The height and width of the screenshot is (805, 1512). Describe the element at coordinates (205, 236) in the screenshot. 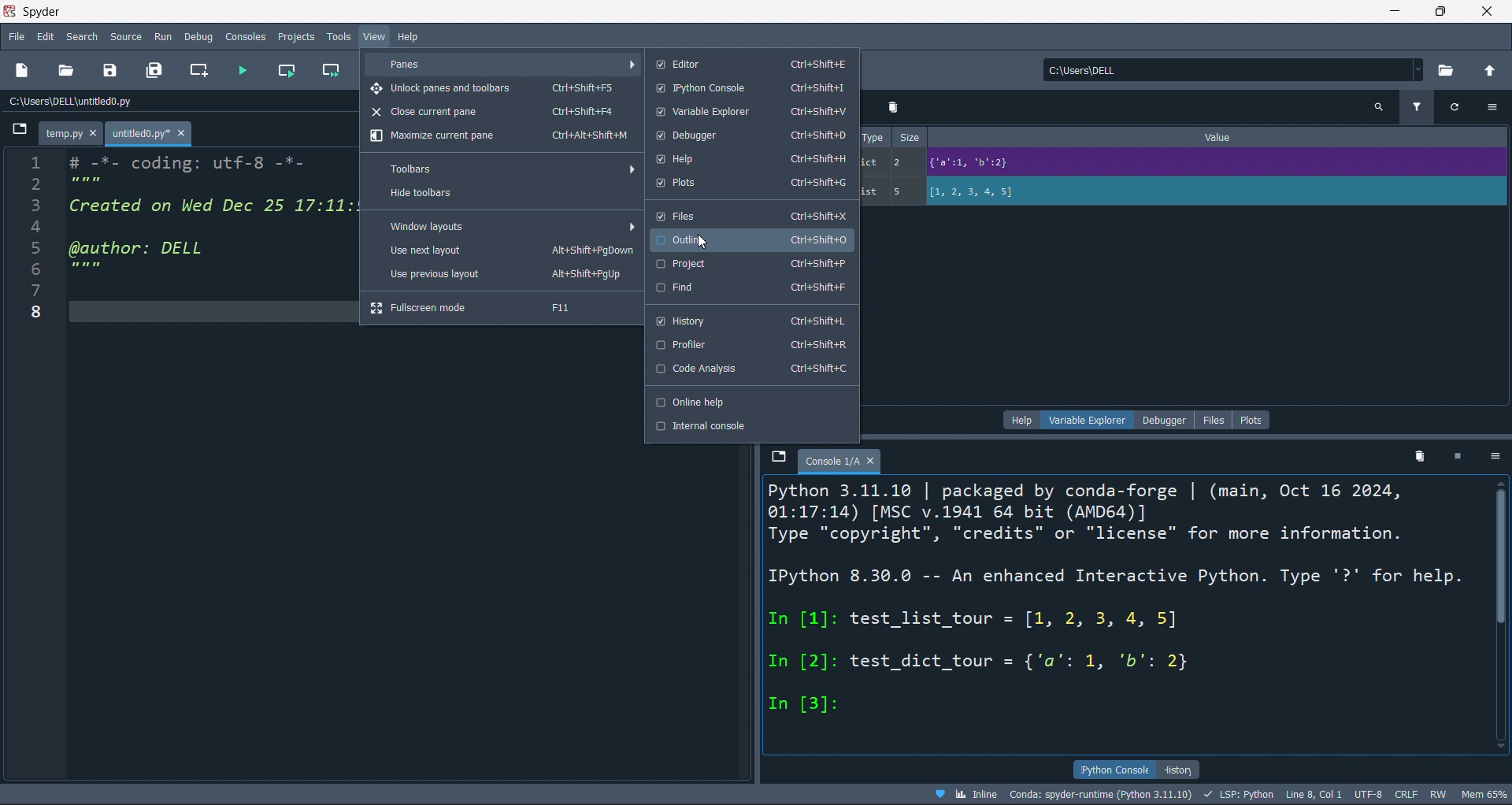

I see `# -*- coding: utf-8 -*-
Created on Wed Dec 25 17:11:50 2024
@author: DELL` at that location.